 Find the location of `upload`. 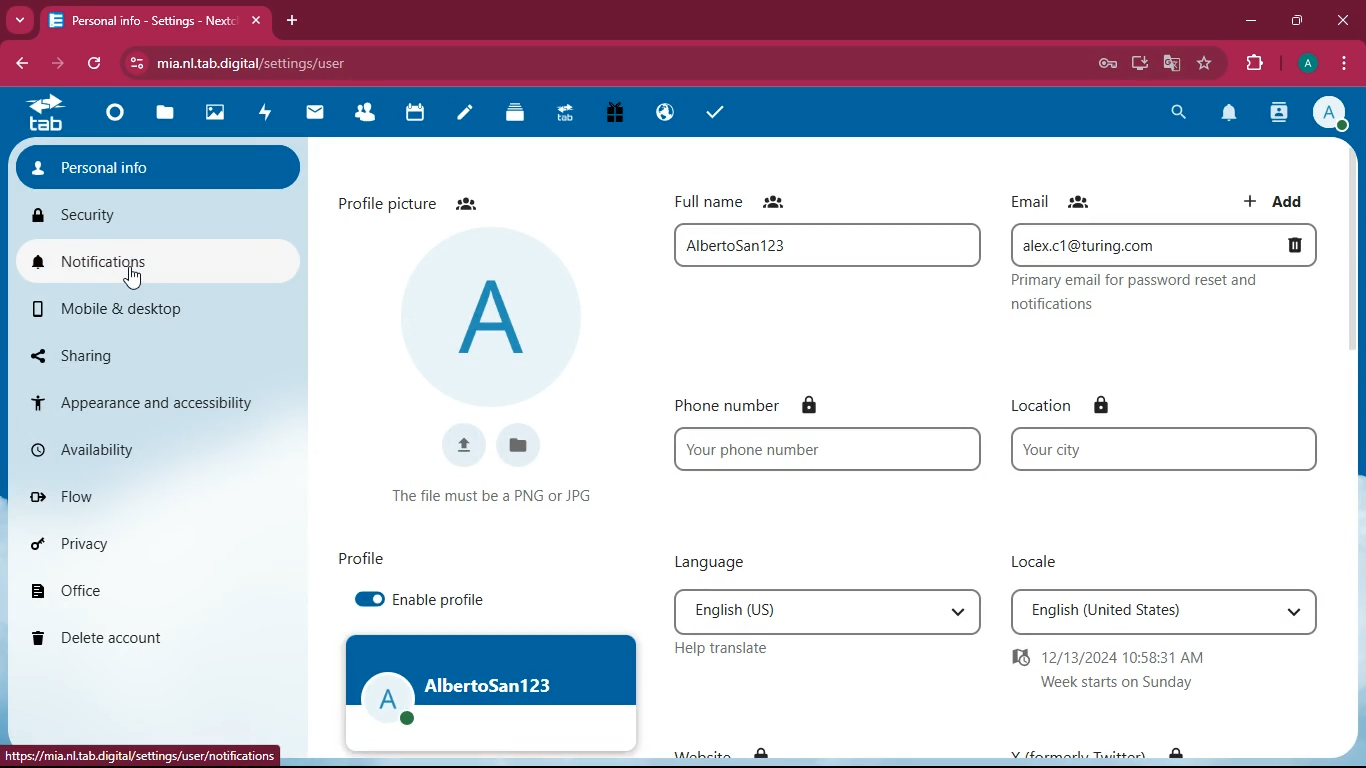

upload is located at coordinates (464, 444).